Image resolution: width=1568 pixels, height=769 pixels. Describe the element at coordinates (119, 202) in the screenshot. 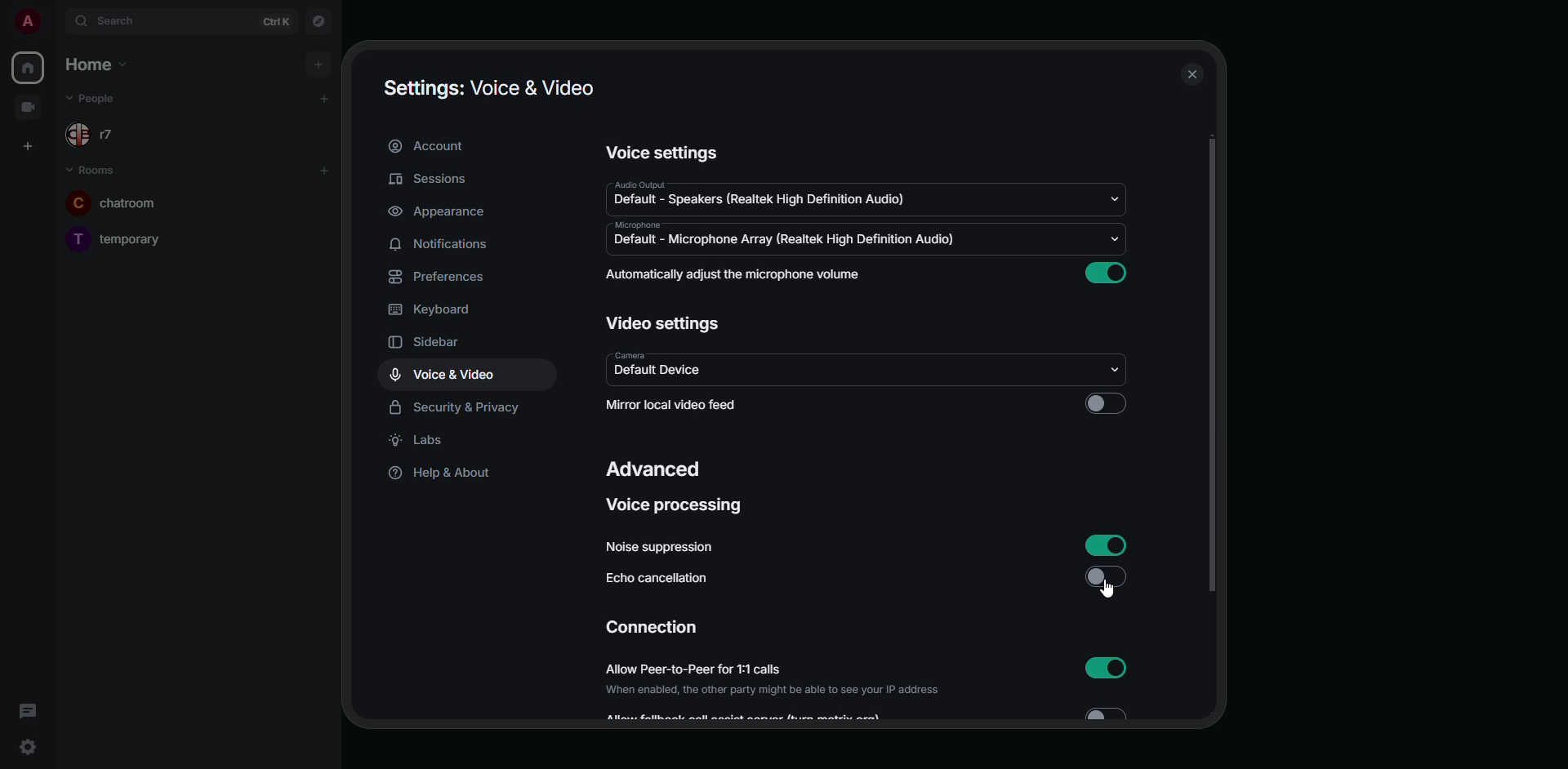

I see `chatroom` at that location.